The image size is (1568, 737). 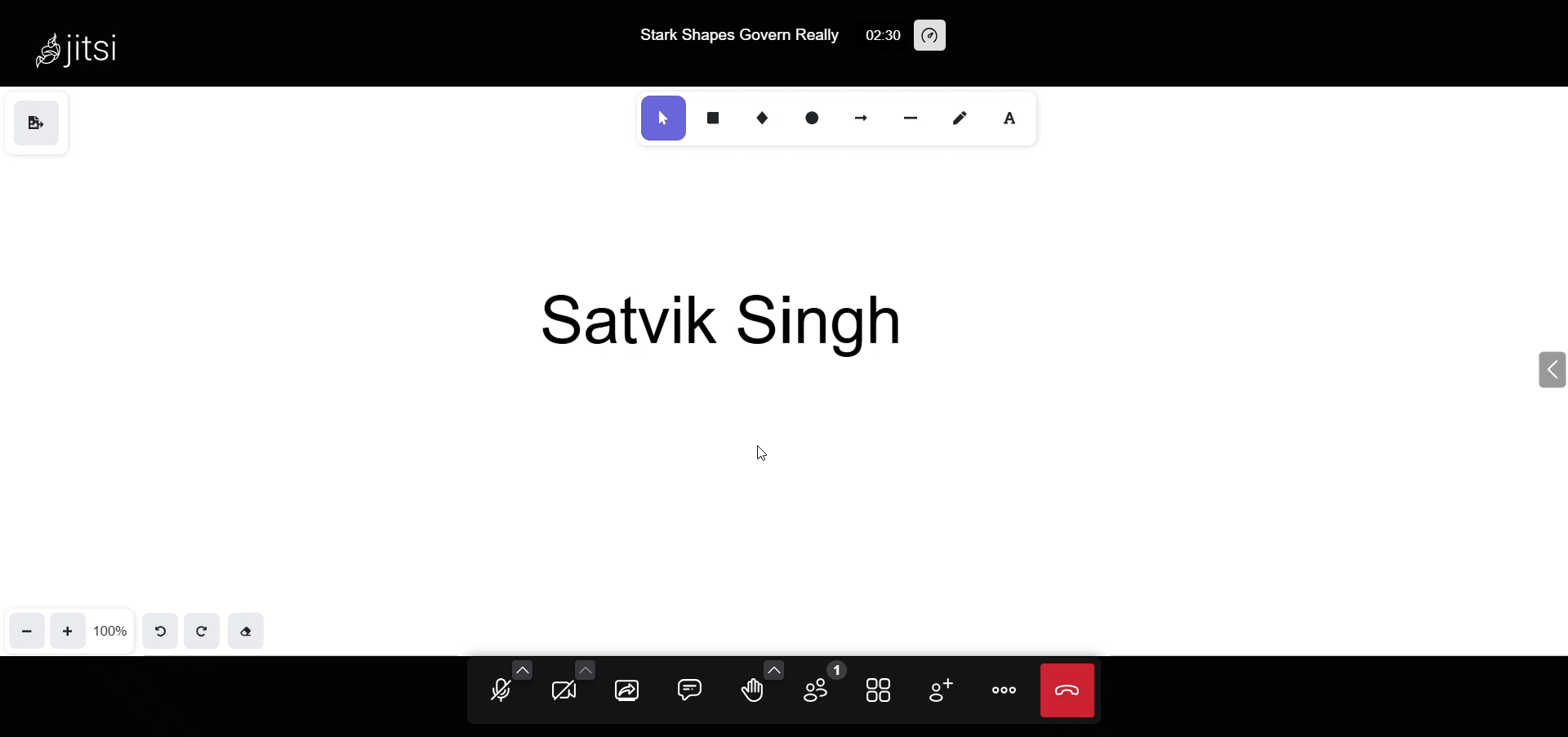 What do you see at coordinates (936, 689) in the screenshot?
I see `invite people` at bounding box center [936, 689].